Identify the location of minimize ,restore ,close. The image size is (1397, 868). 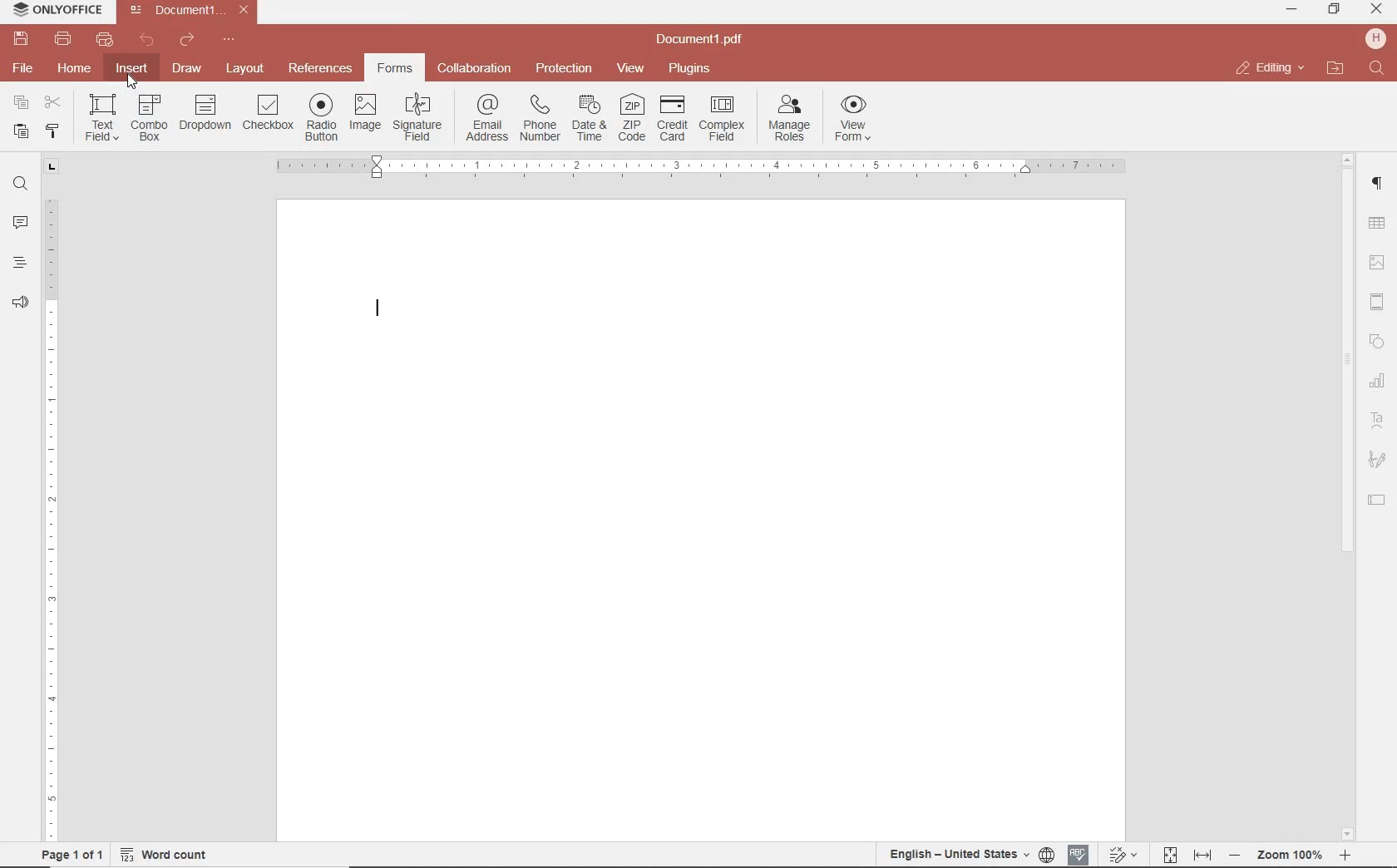
(1380, 10).